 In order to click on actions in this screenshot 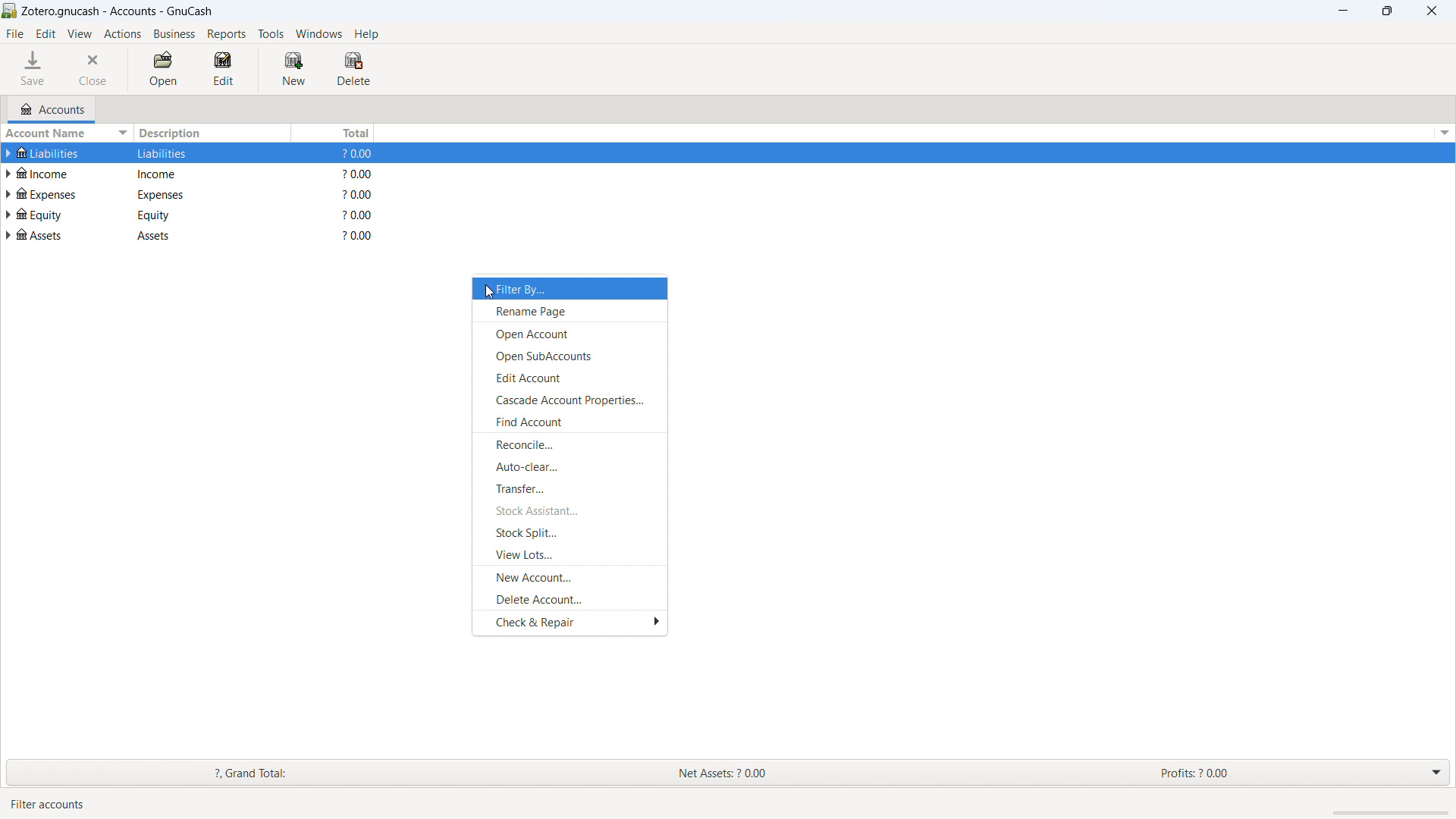, I will do `click(123, 35)`.